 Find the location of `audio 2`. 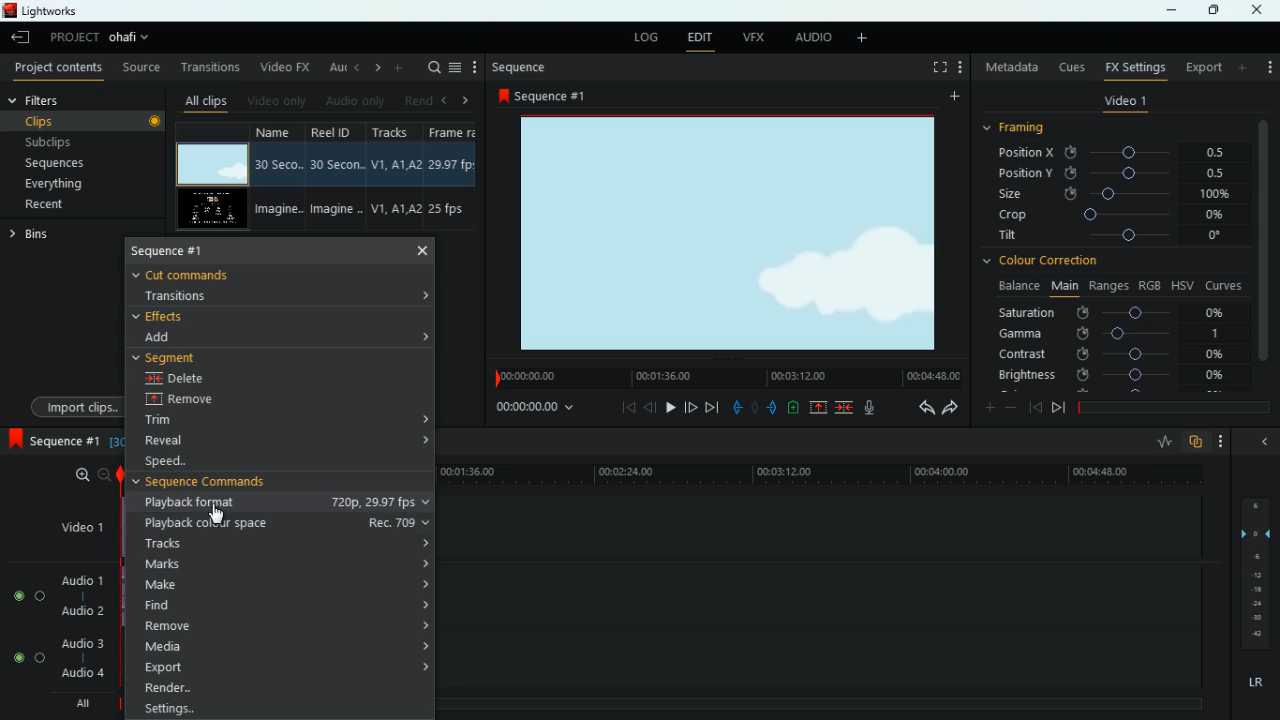

audio 2 is located at coordinates (78, 610).